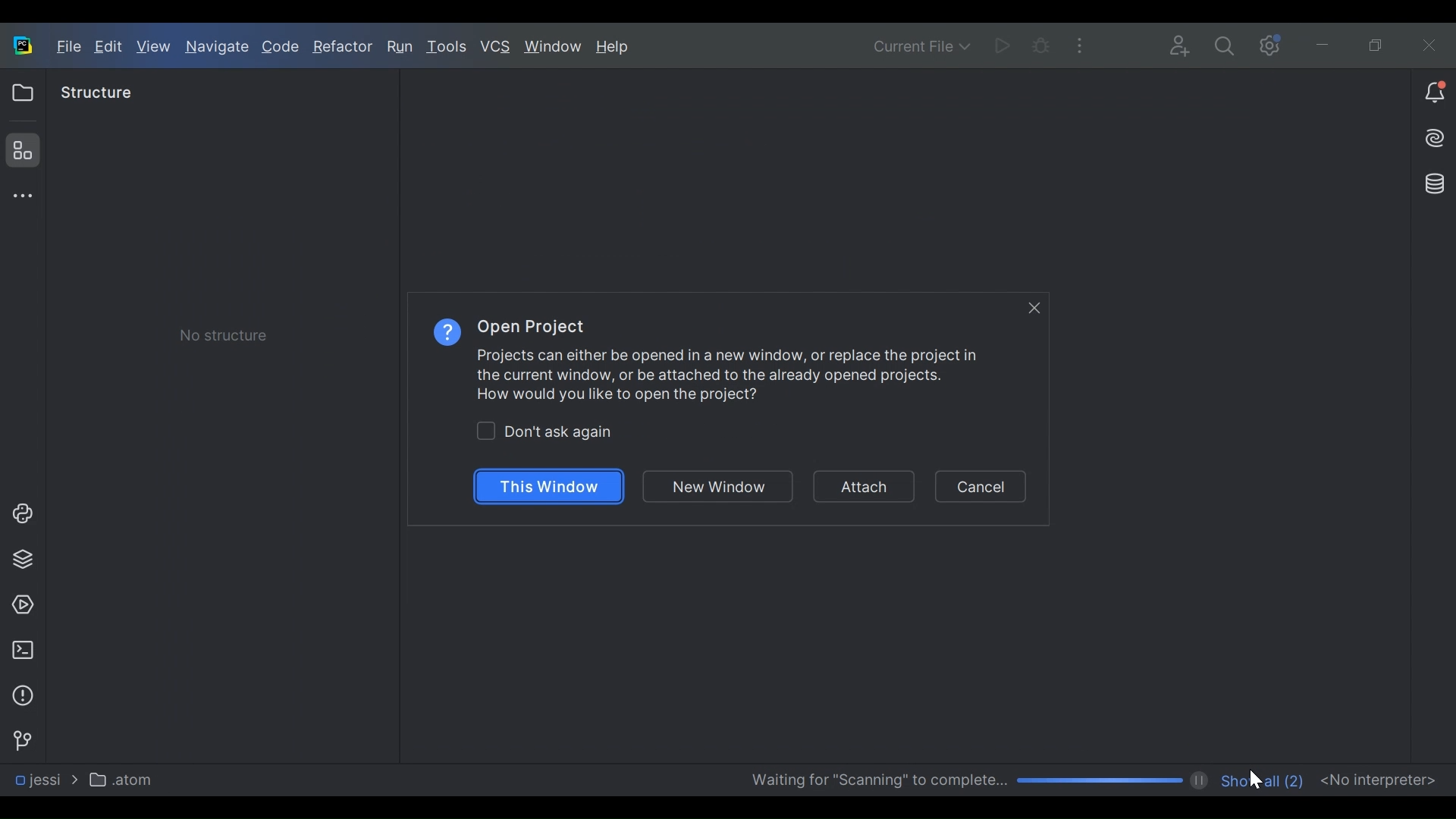  I want to click on Project Packages, so click(20, 560).